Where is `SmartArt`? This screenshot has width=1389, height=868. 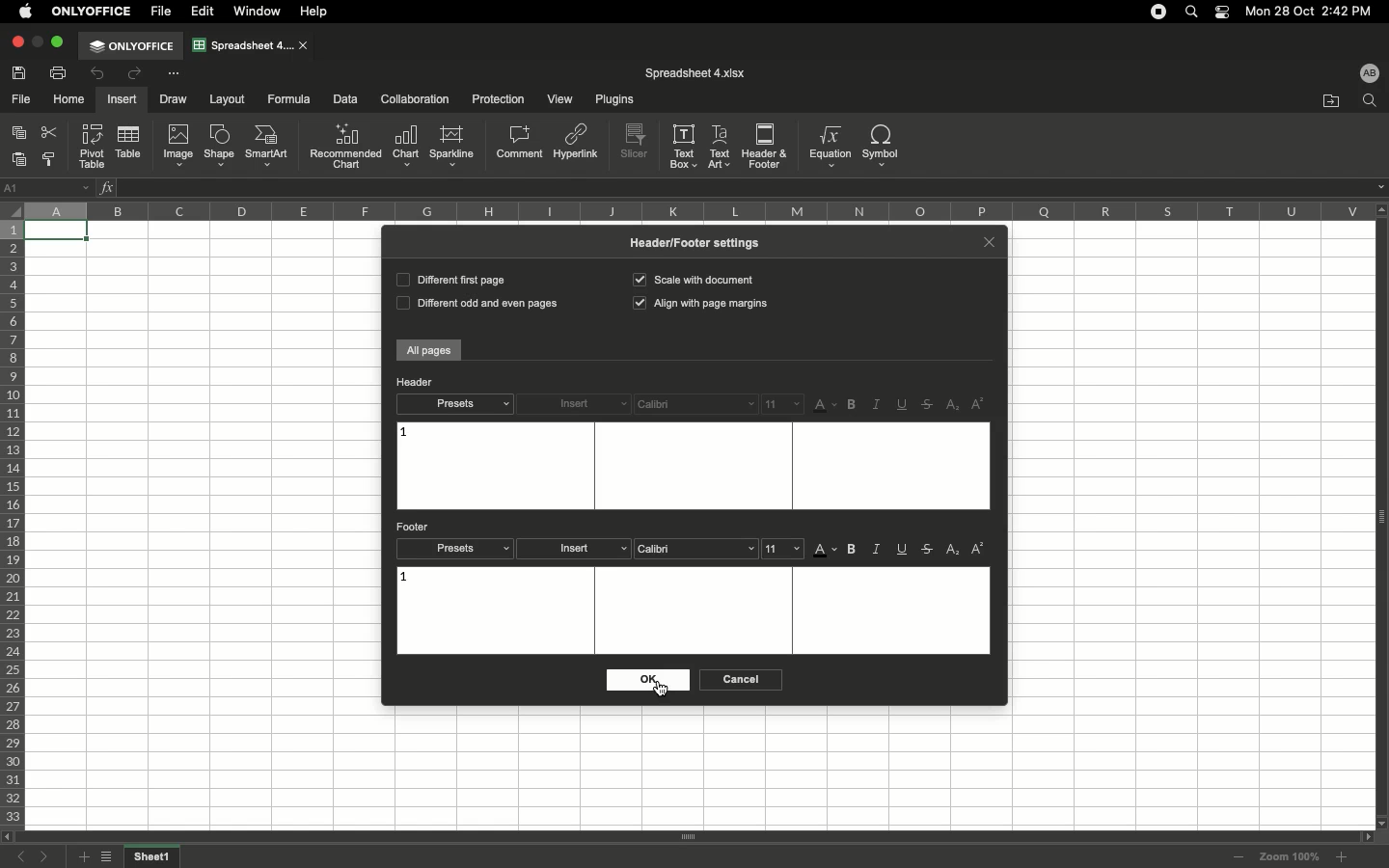
SmartArt is located at coordinates (269, 147).